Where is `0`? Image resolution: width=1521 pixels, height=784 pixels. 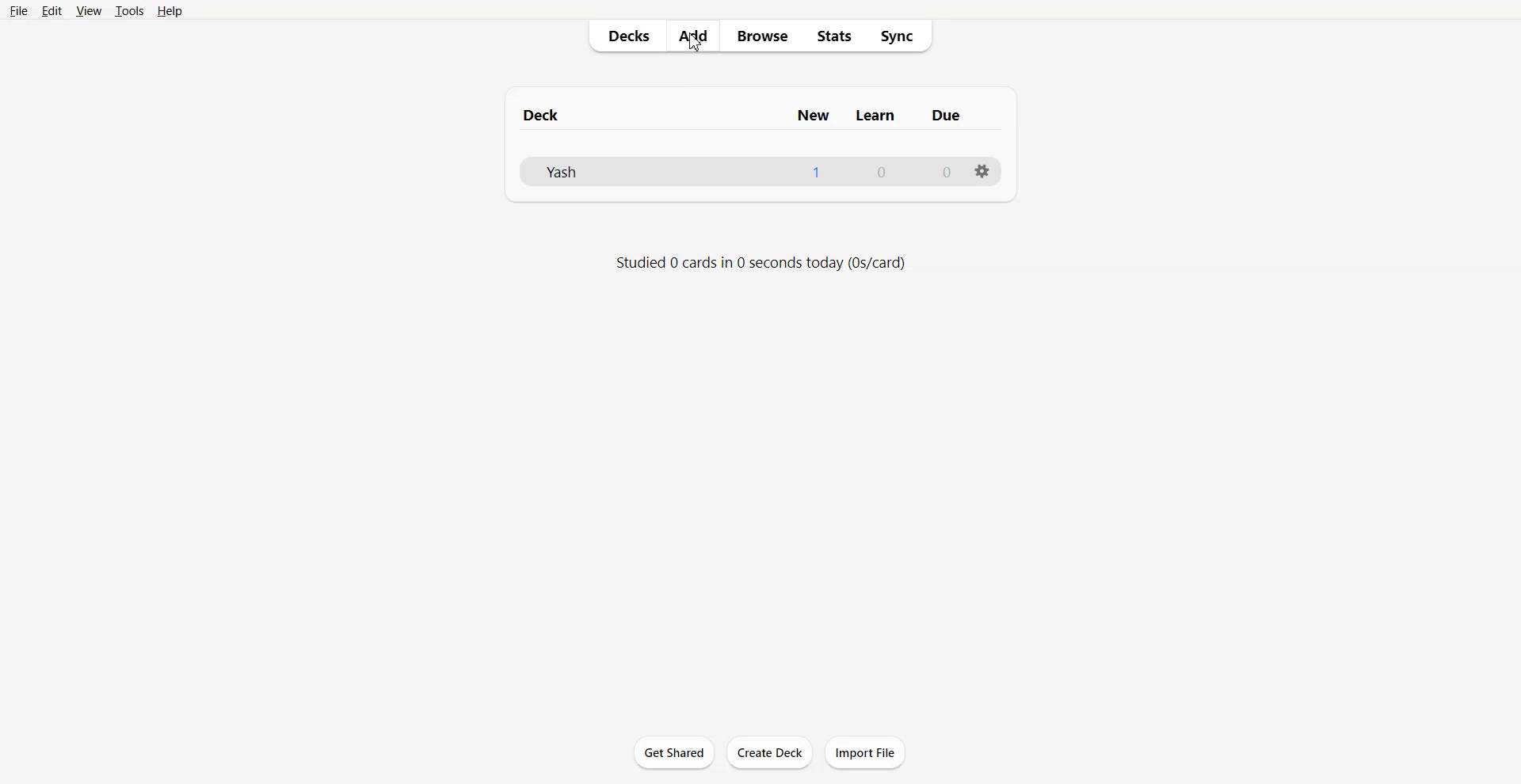
0 is located at coordinates (882, 173).